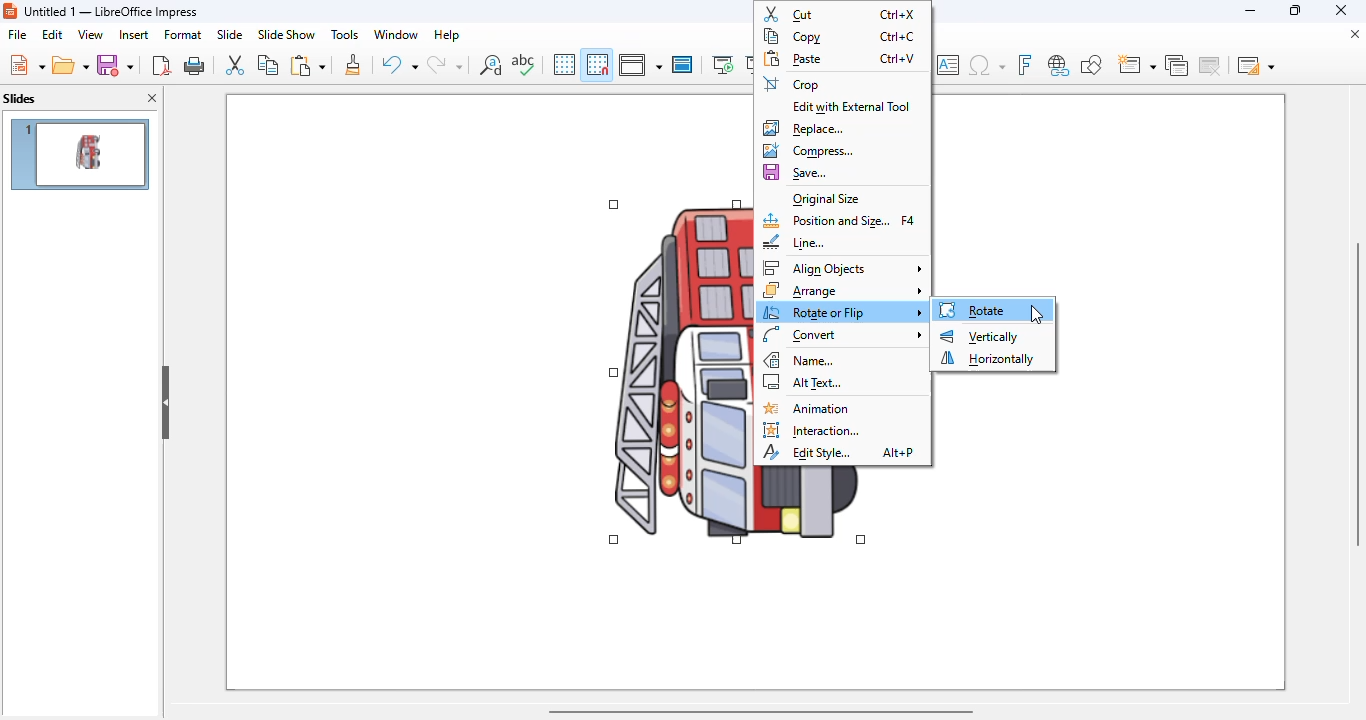 The width and height of the screenshot is (1366, 720). I want to click on tools, so click(344, 34).